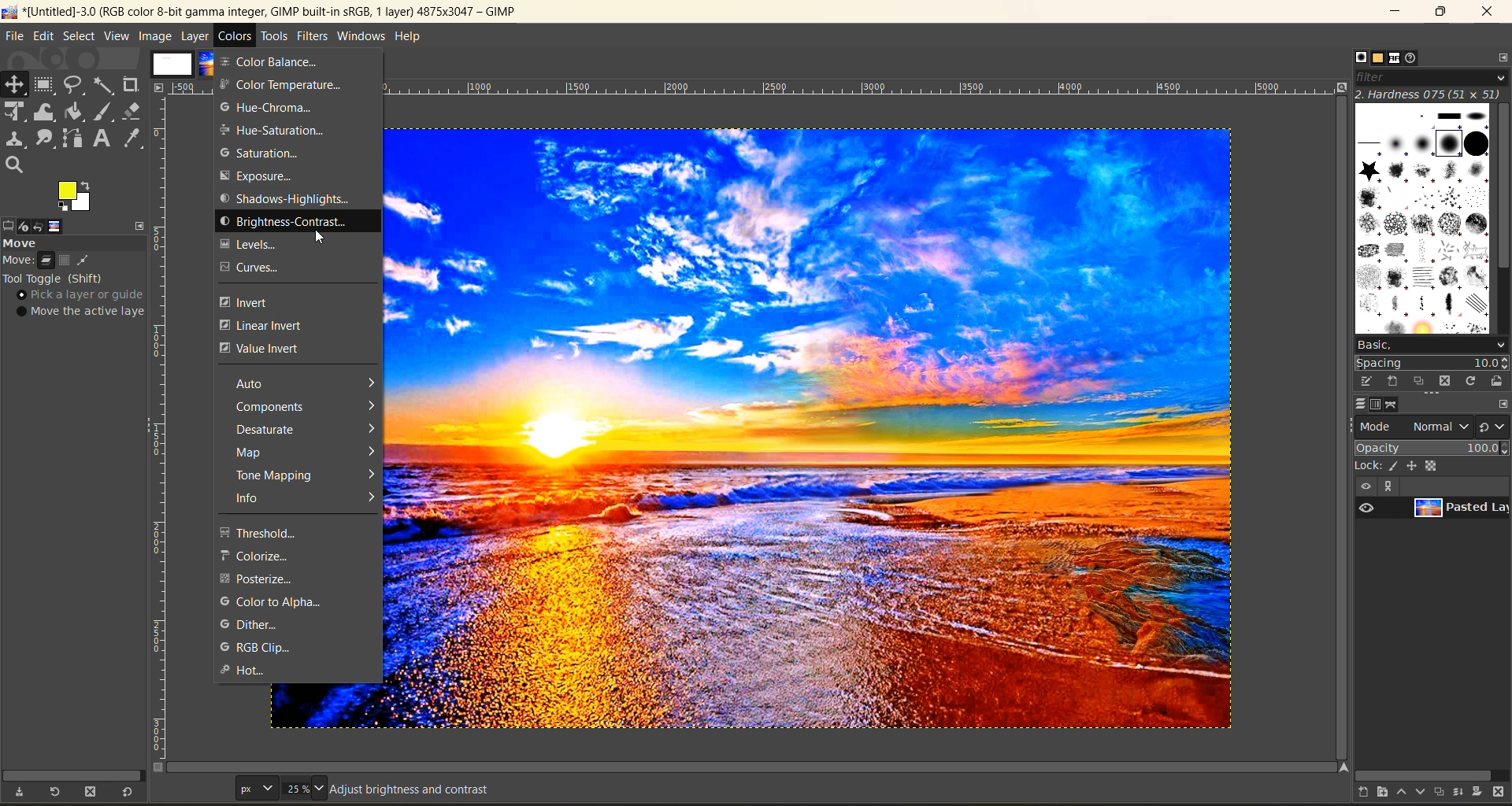  What do you see at coordinates (1499, 382) in the screenshot?
I see `open brush as image` at bounding box center [1499, 382].